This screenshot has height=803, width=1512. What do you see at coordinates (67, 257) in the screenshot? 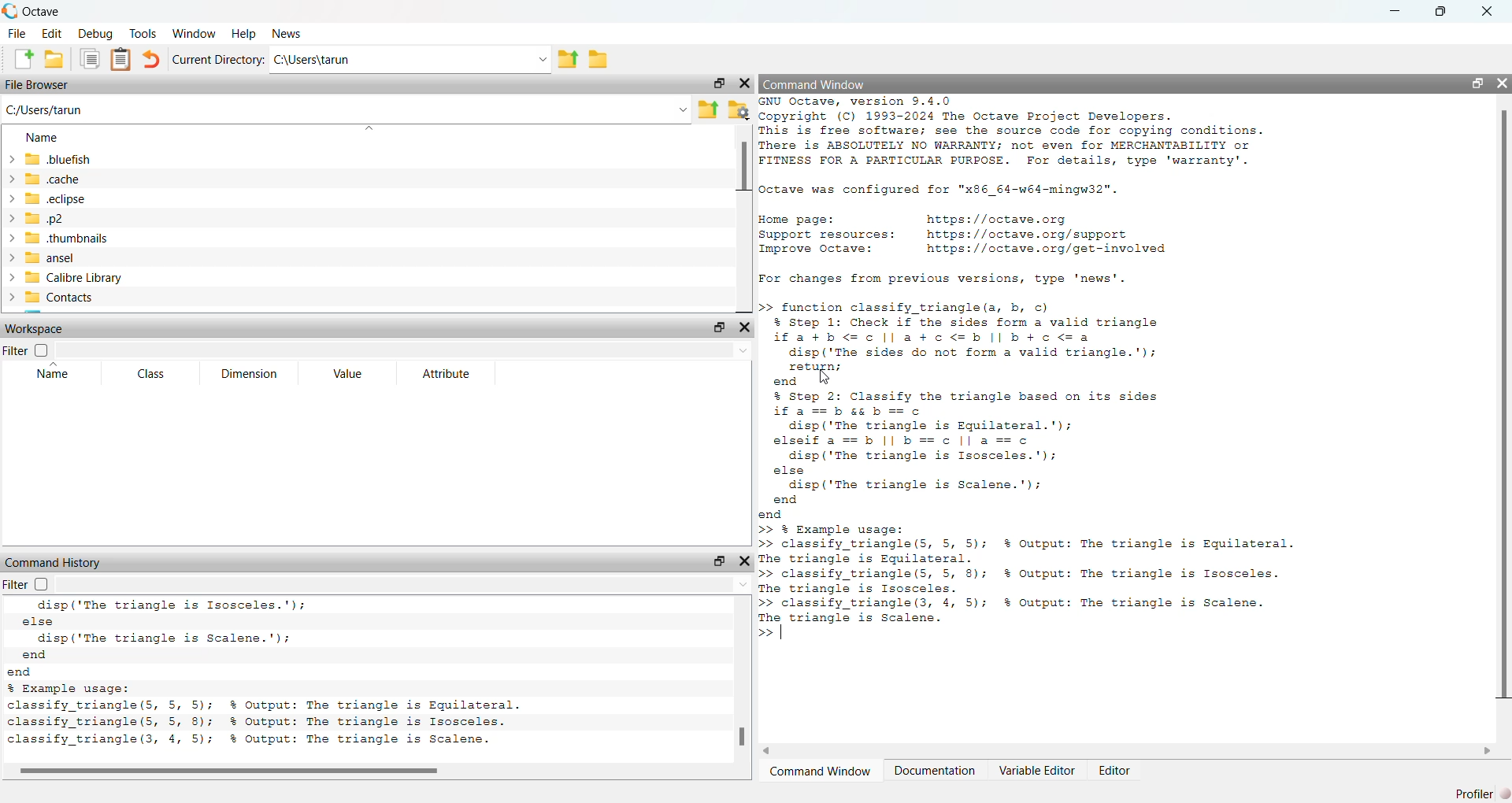
I see `ansel` at bounding box center [67, 257].